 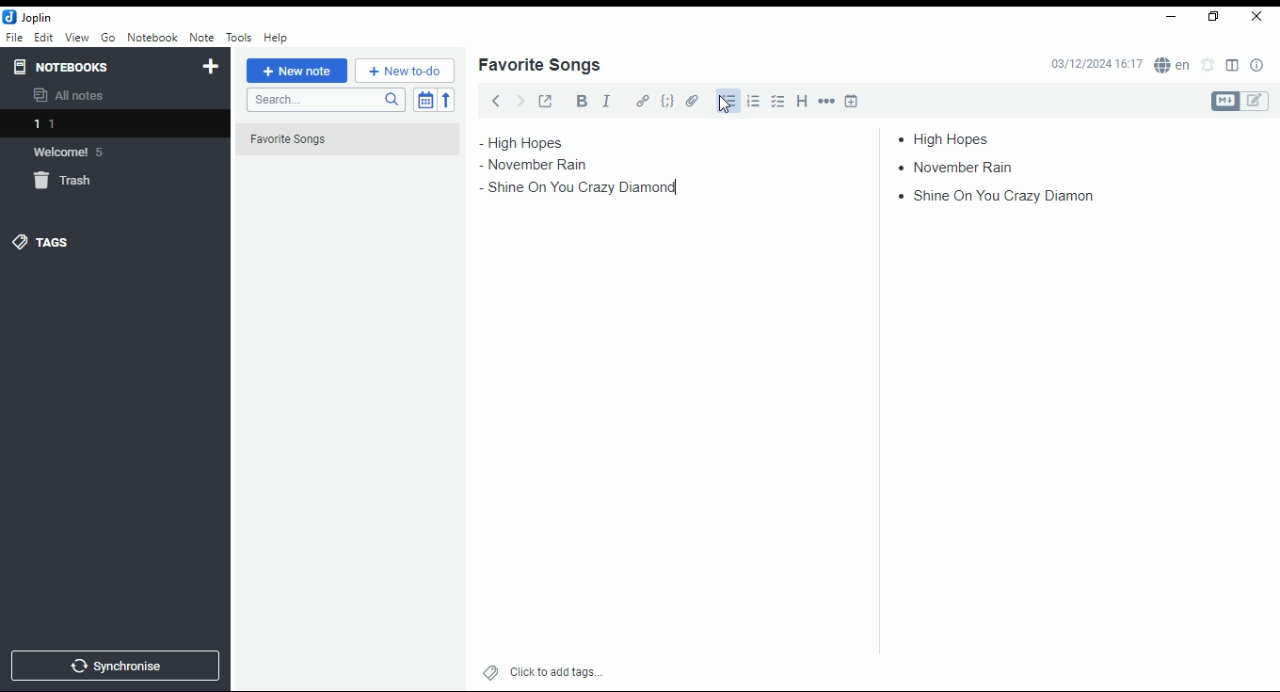 I want to click on notebook, so click(x=152, y=37).